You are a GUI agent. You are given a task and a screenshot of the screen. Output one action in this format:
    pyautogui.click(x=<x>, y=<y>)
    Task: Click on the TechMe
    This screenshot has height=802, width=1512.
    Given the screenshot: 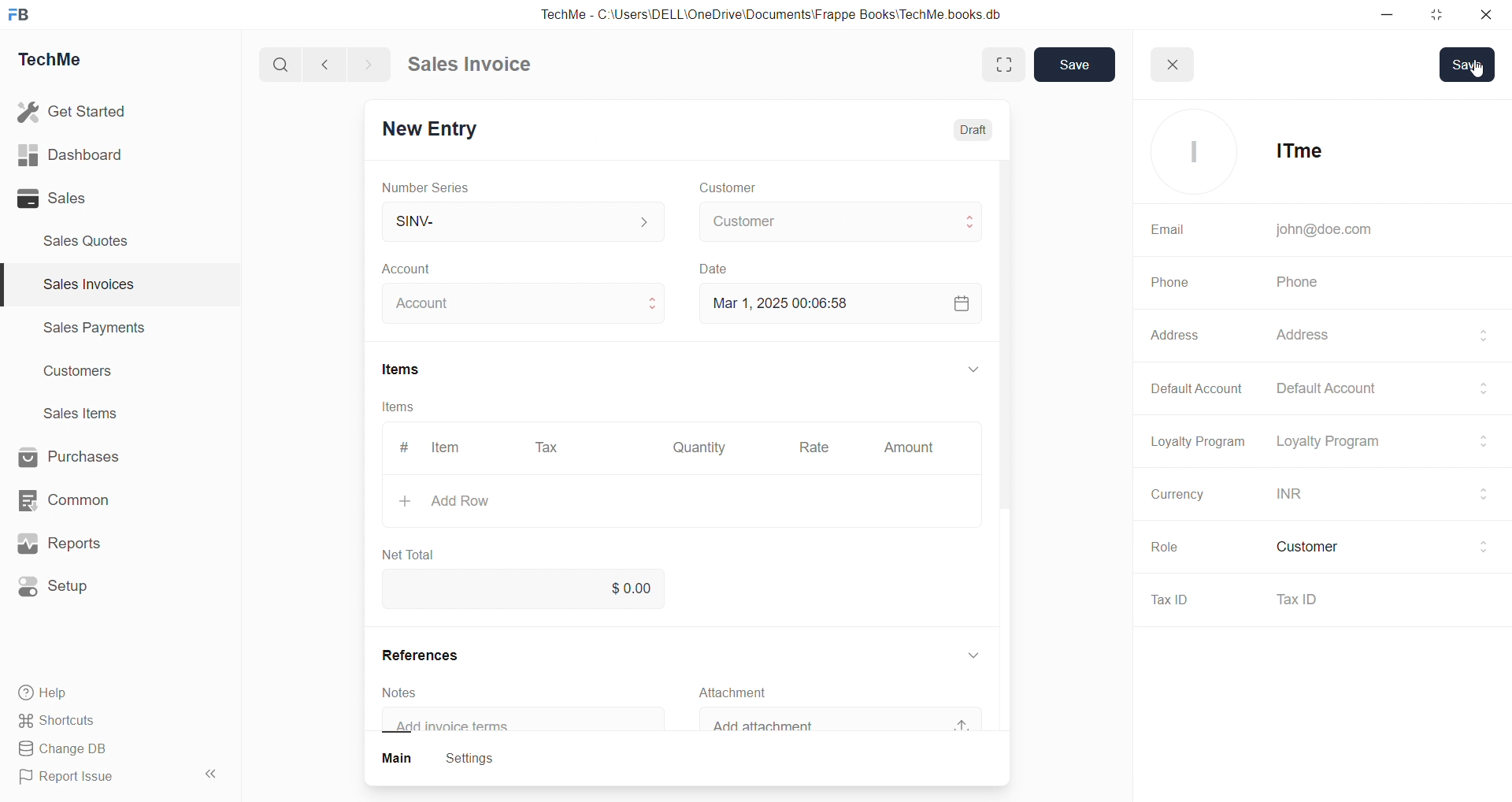 What is the action you would take?
    pyautogui.click(x=63, y=62)
    